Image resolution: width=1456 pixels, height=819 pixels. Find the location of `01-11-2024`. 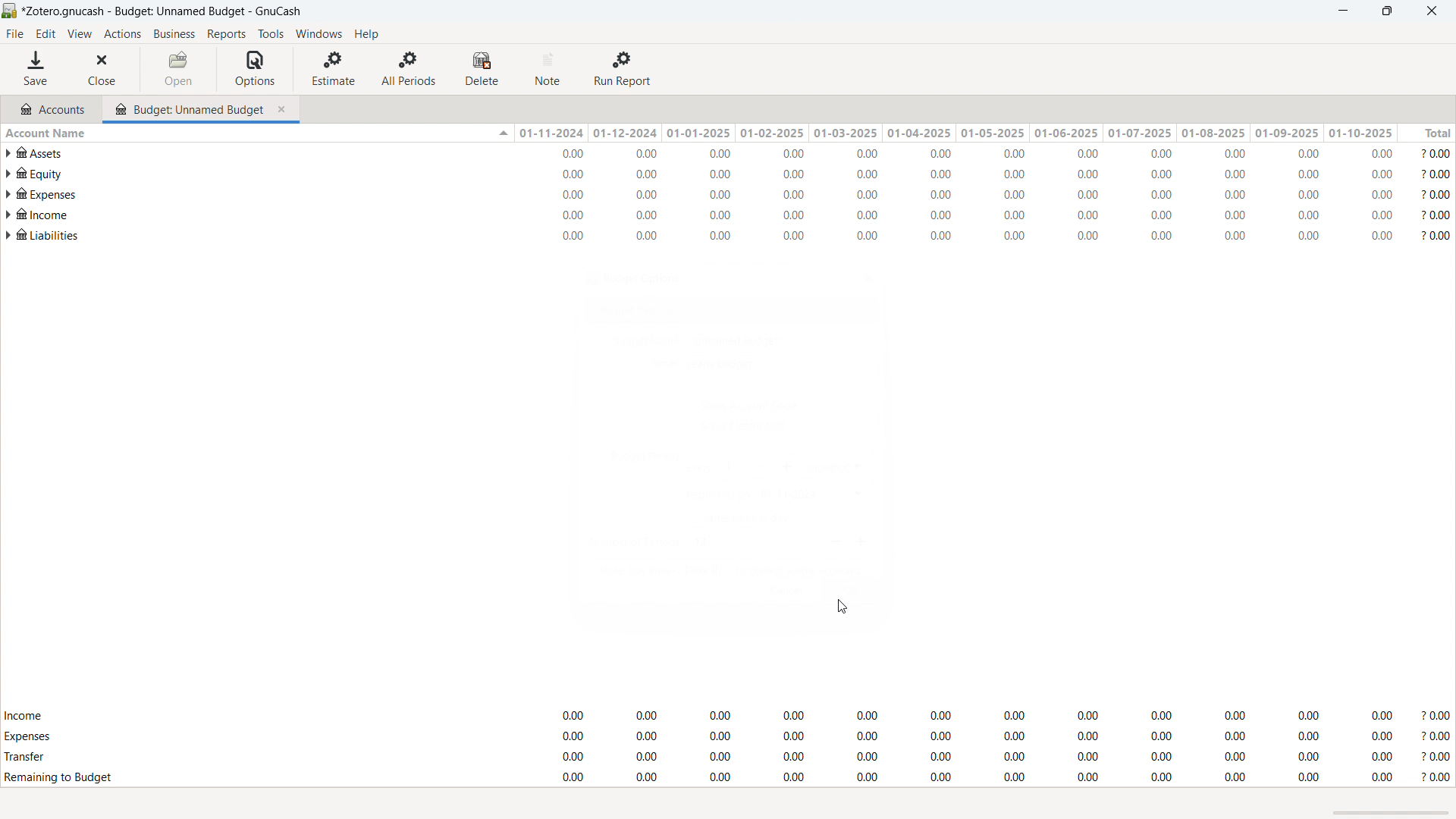

01-11-2024 is located at coordinates (551, 133).